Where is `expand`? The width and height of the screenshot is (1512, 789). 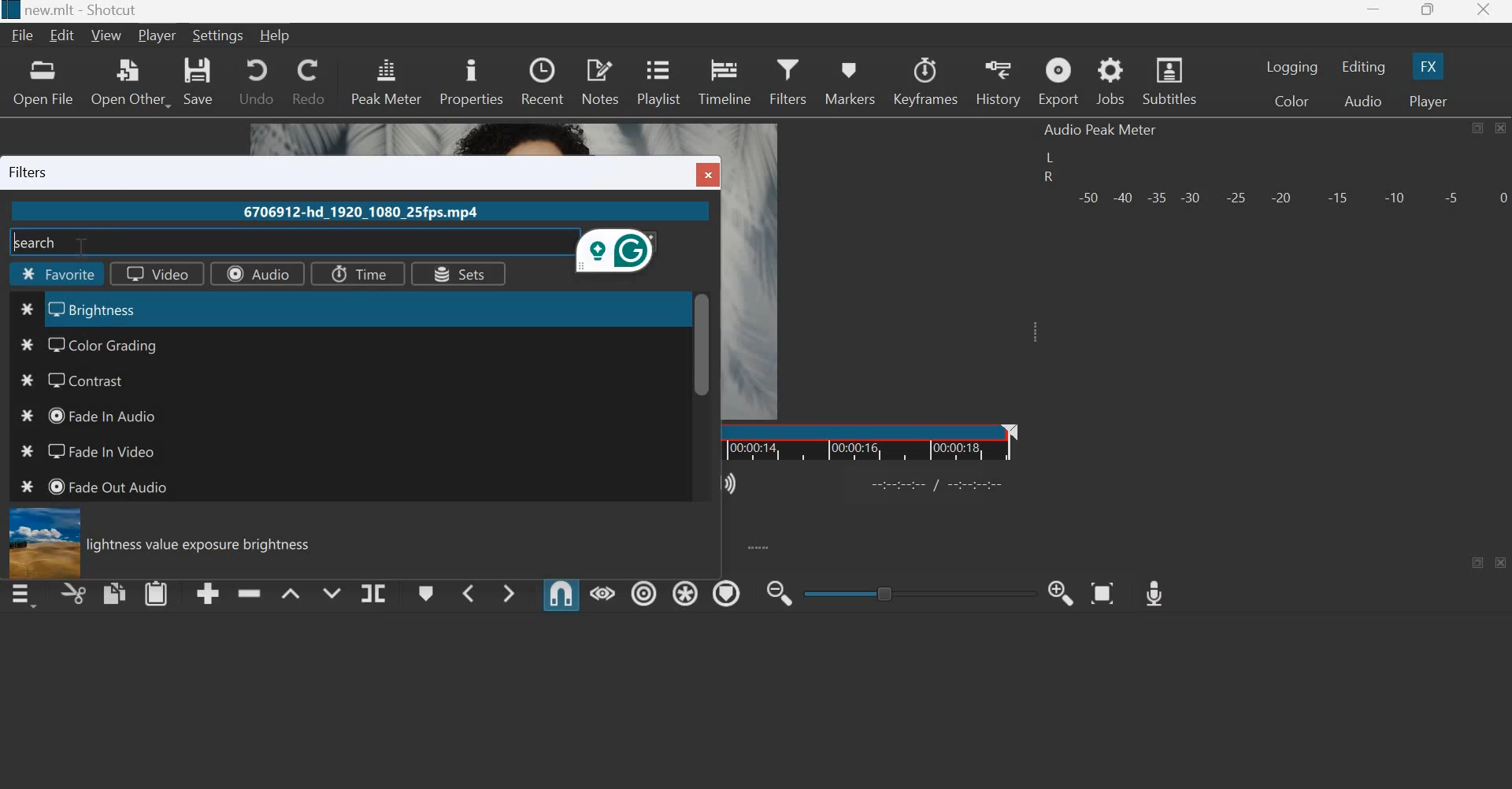 expand is located at coordinates (758, 546).